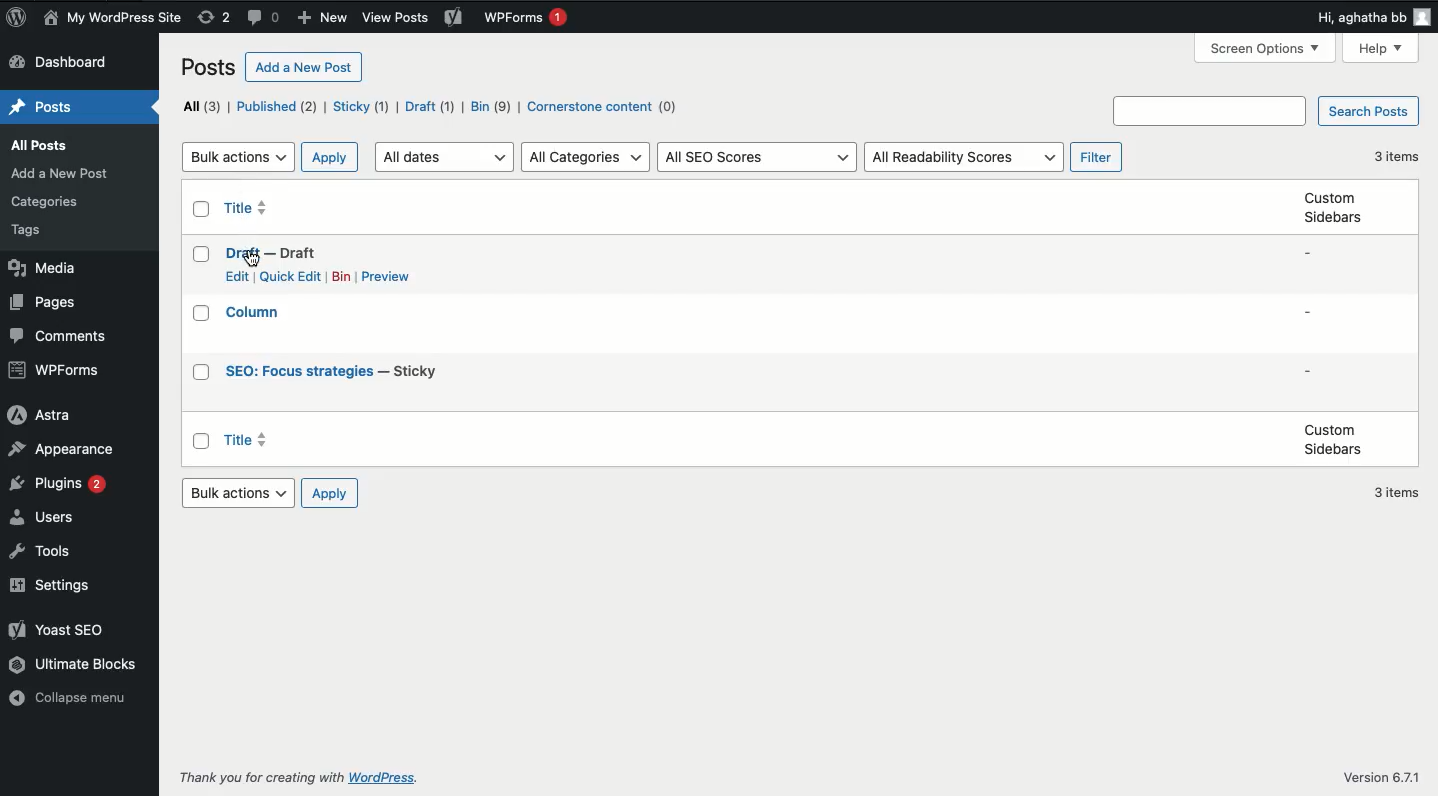 The height and width of the screenshot is (796, 1438). What do you see at coordinates (203, 106) in the screenshot?
I see `All` at bounding box center [203, 106].